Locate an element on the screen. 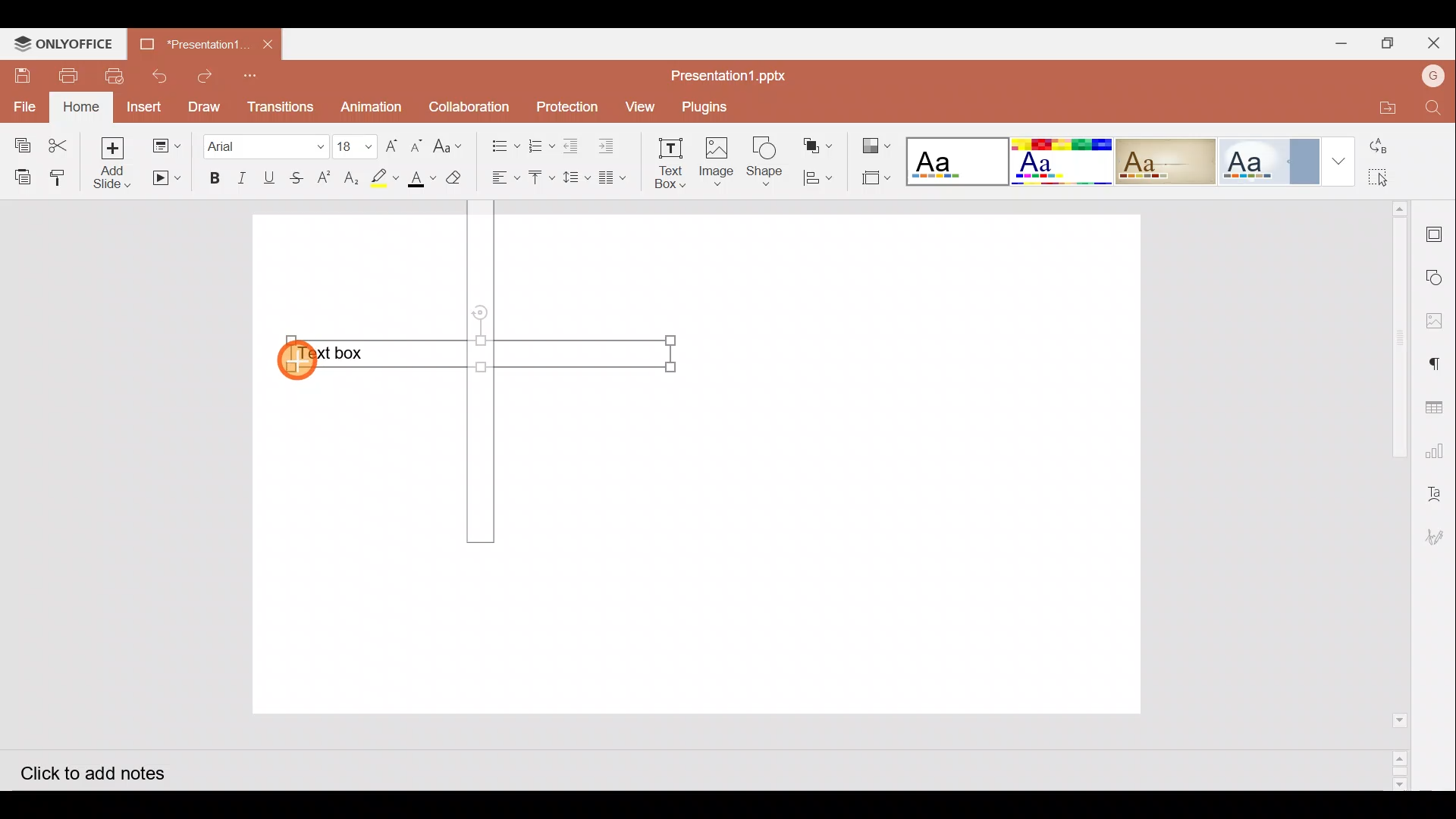  Decrease font size is located at coordinates (416, 144).